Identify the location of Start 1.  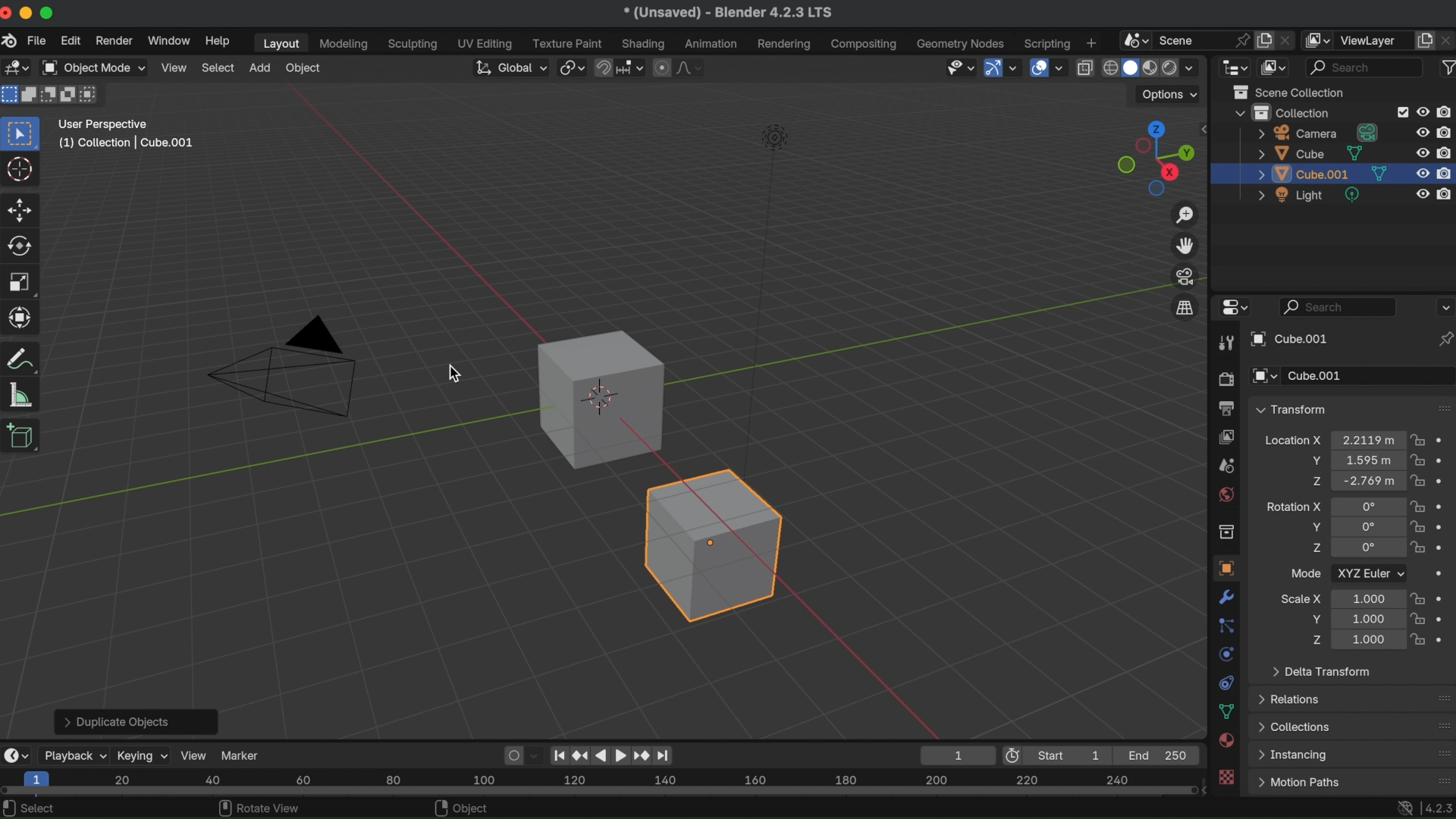
(1075, 755).